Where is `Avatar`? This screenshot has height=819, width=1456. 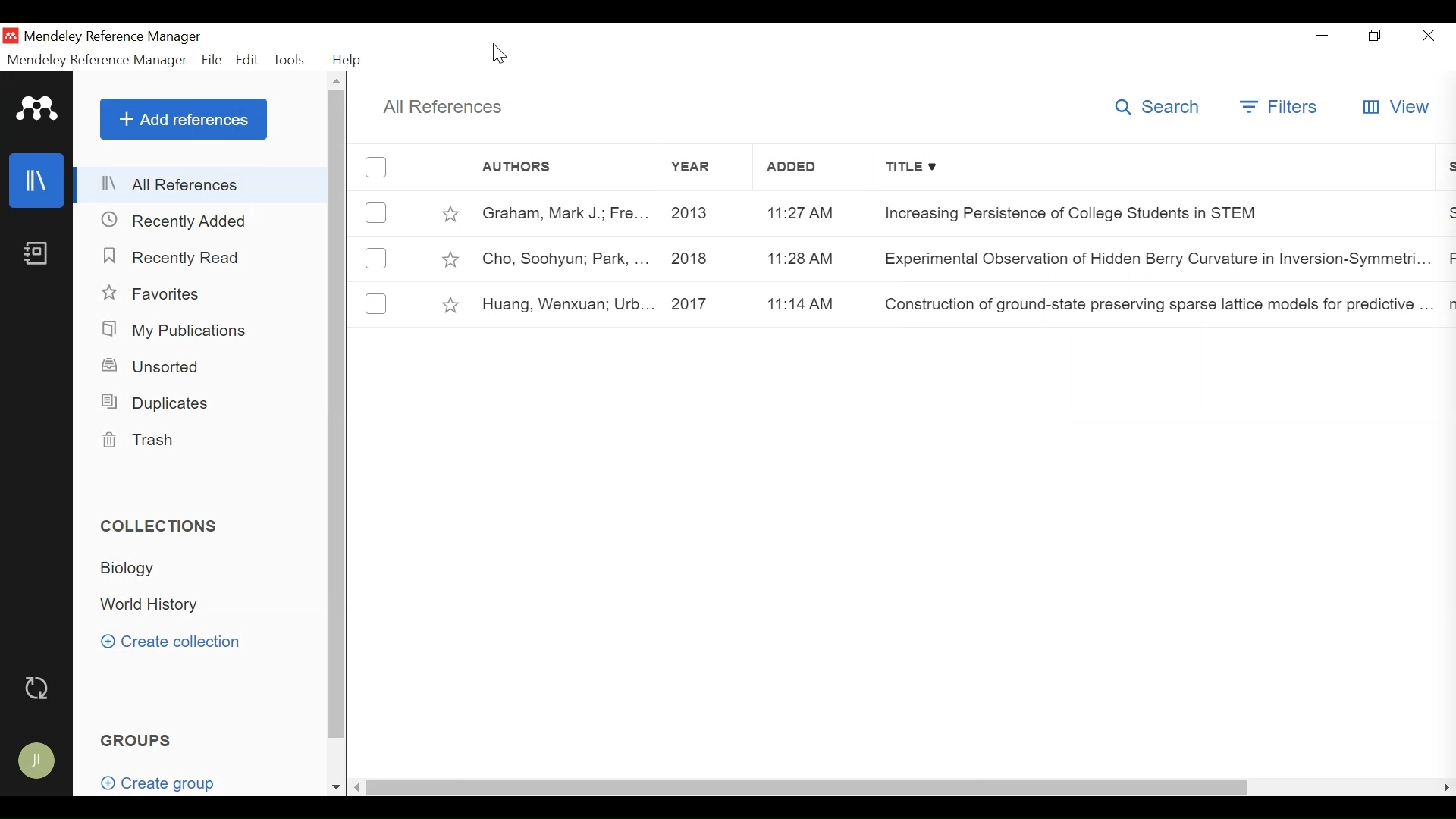
Avatar is located at coordinates (37, 758).